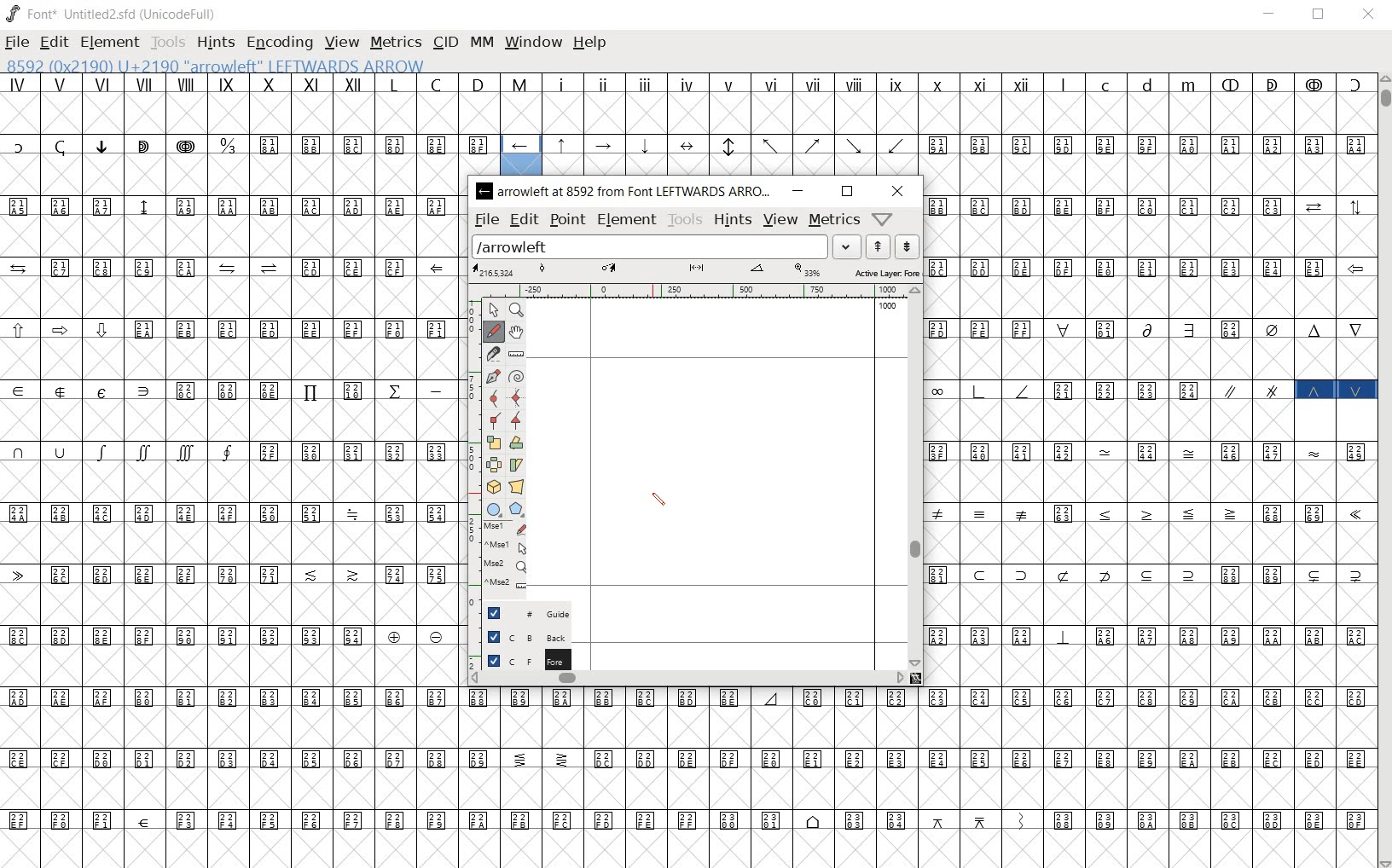 Image resolution: width=1392 pixels, height=868 pixels. Describe the element at coordinates (732, 219) in the screenshot. I see `hints` at that location.